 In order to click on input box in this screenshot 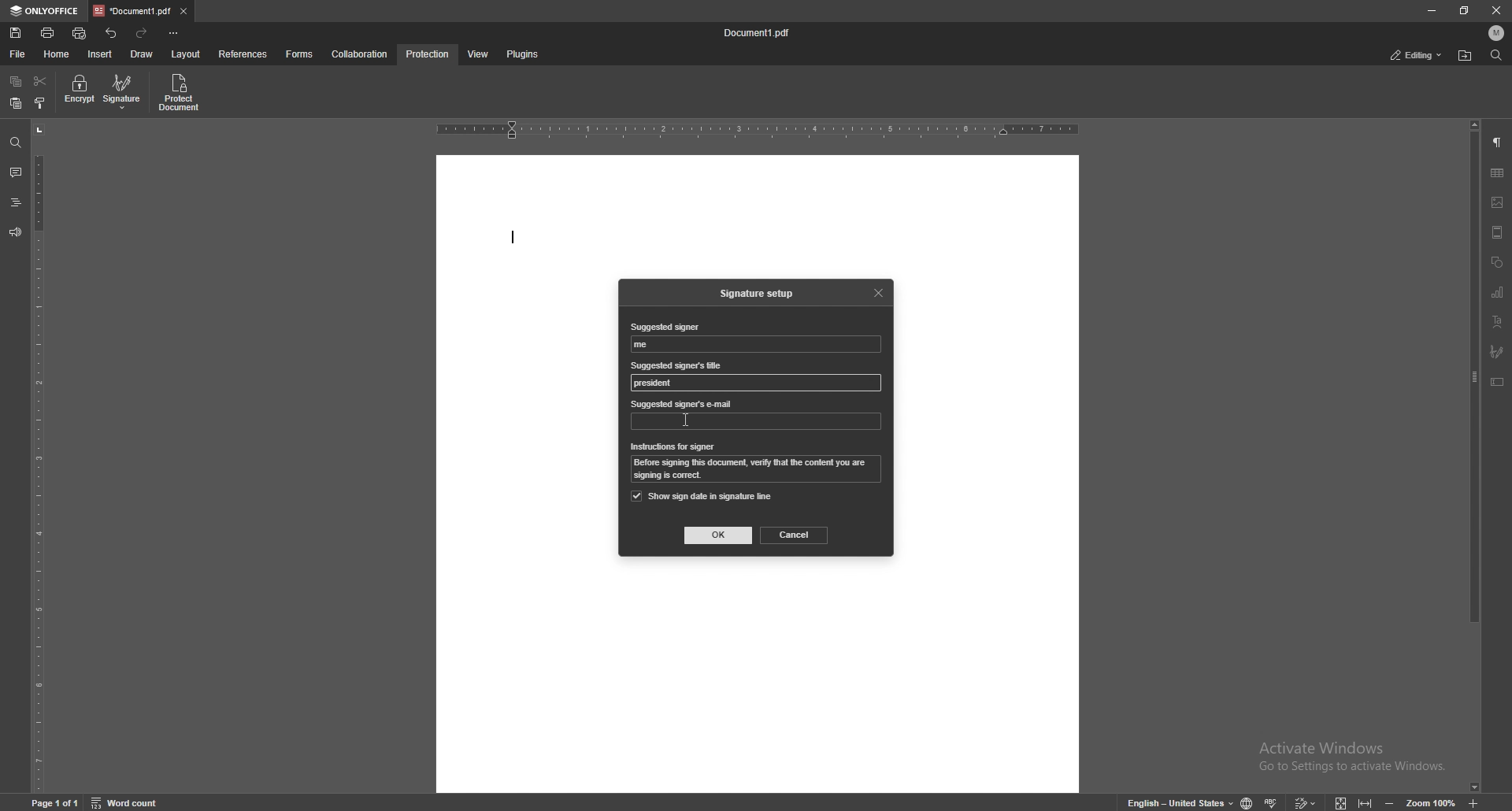, I will do `click(757, 382)`.